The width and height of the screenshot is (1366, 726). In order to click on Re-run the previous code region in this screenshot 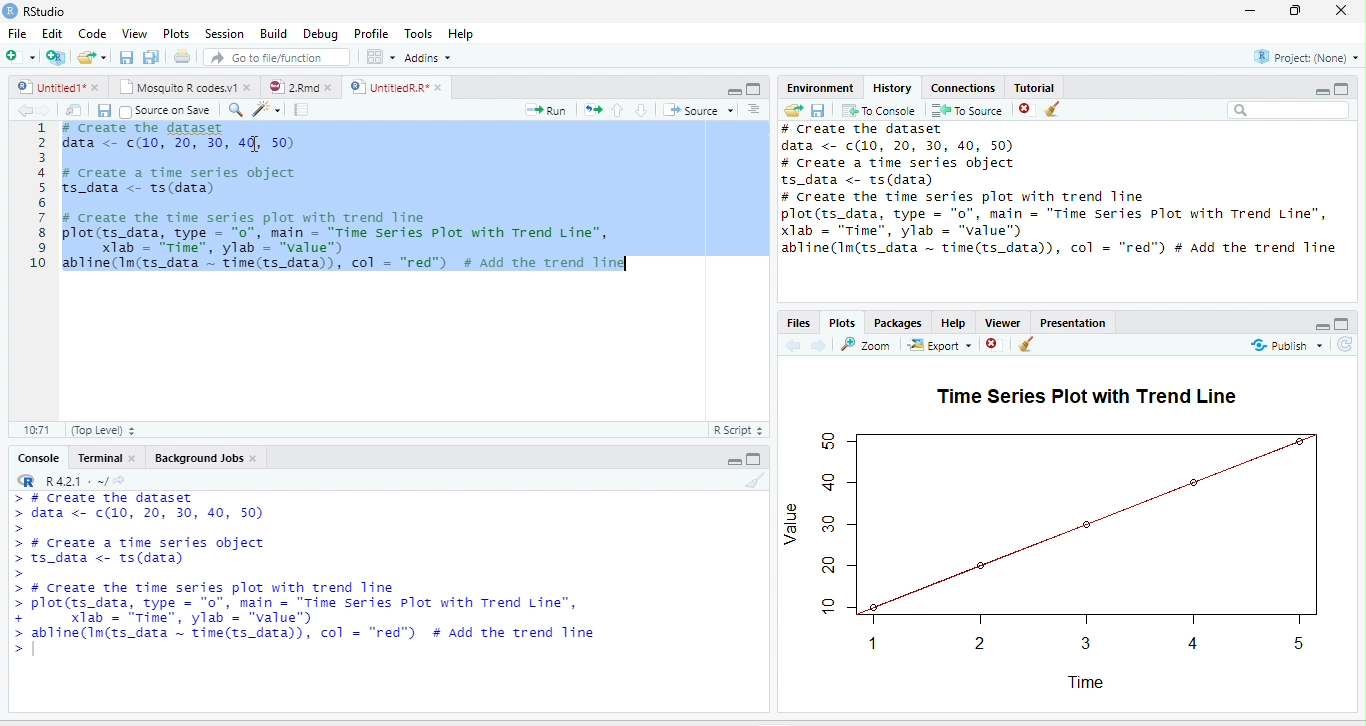, I will do `click(592, 110)`.